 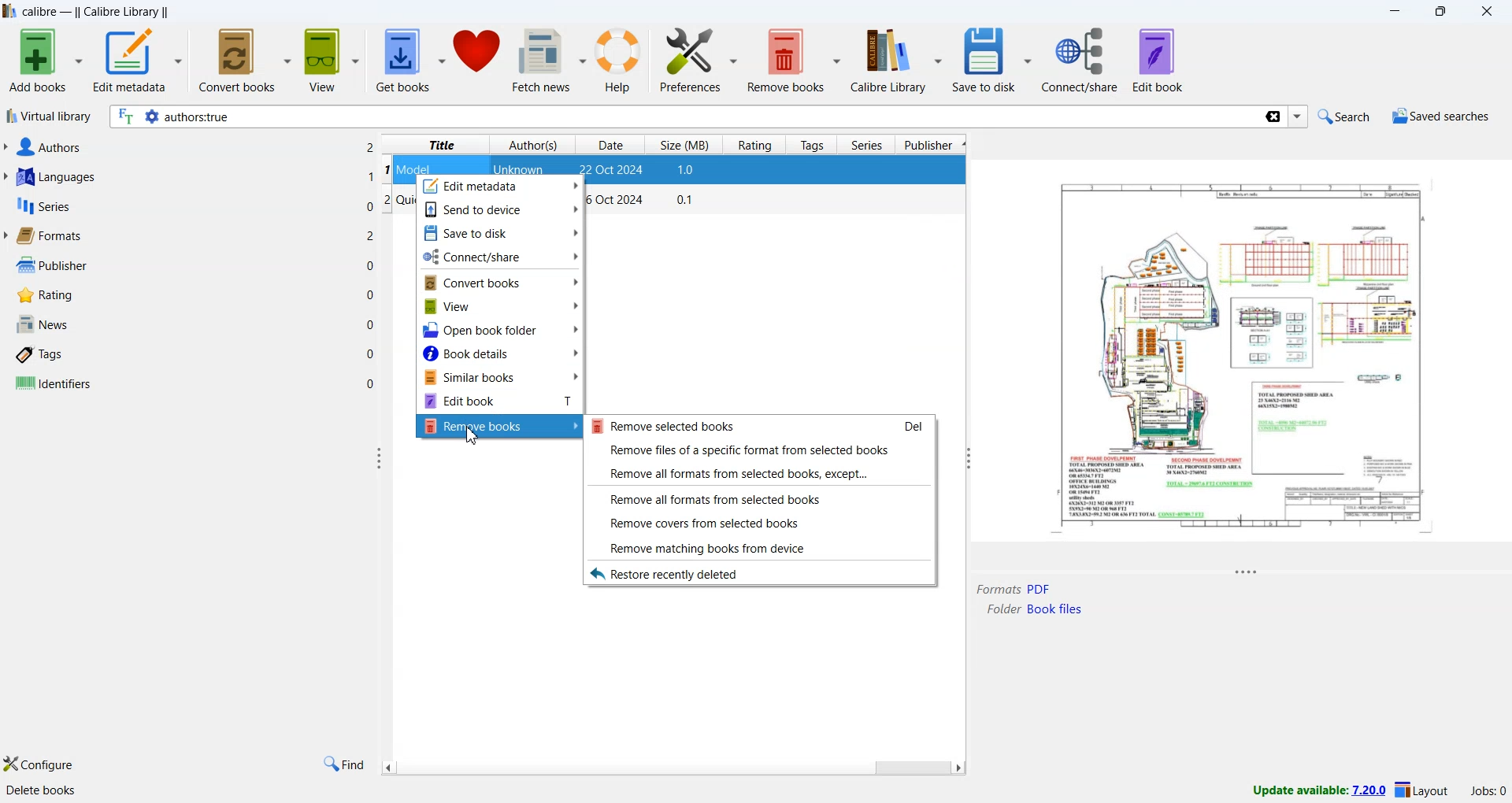 What do you see at coordinates (613, 171) in the screenshot?
I see `date` at bounding box center [613, 171].